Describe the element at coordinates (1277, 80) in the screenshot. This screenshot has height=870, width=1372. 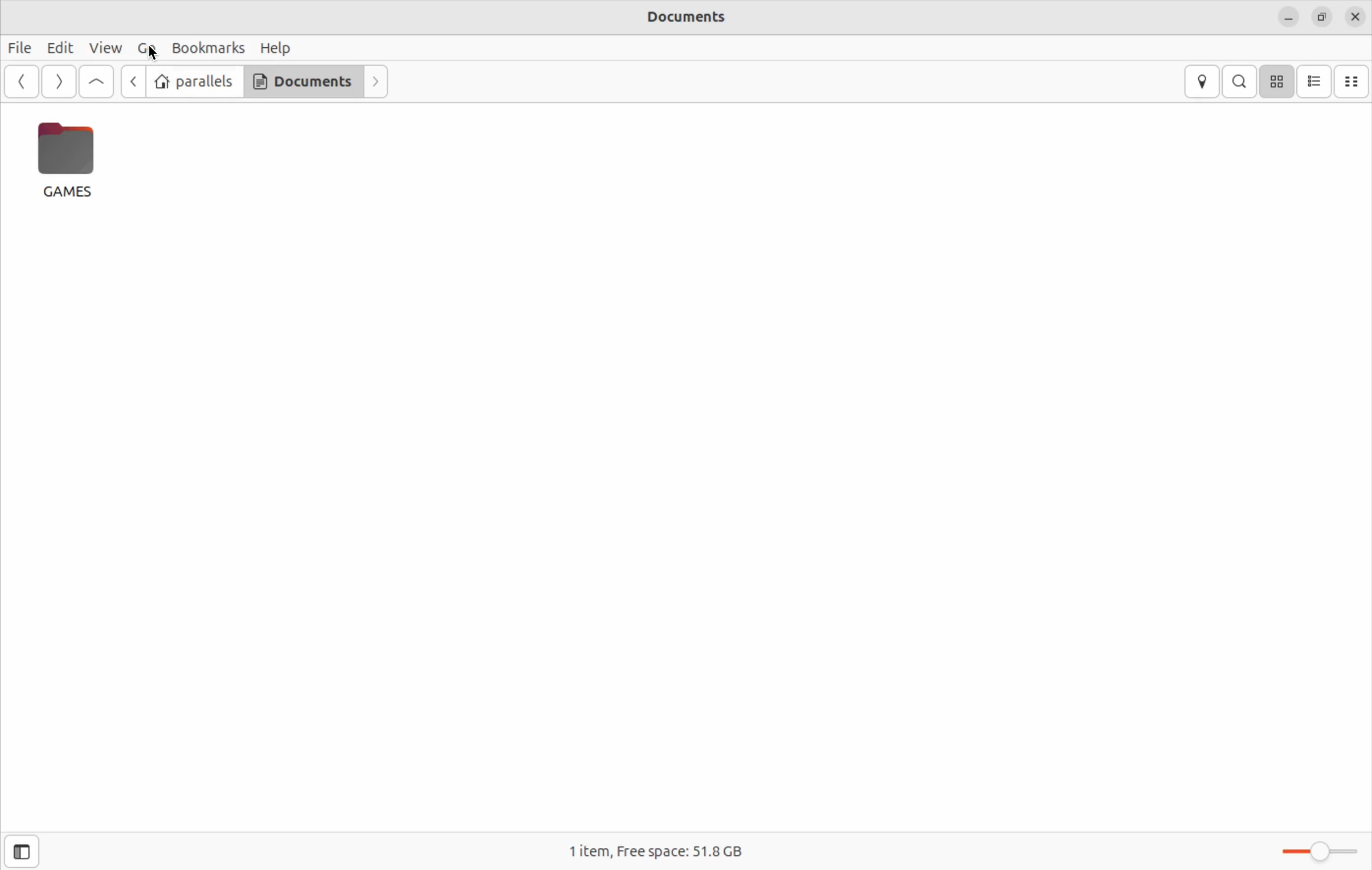
I see `icon view` at that location.